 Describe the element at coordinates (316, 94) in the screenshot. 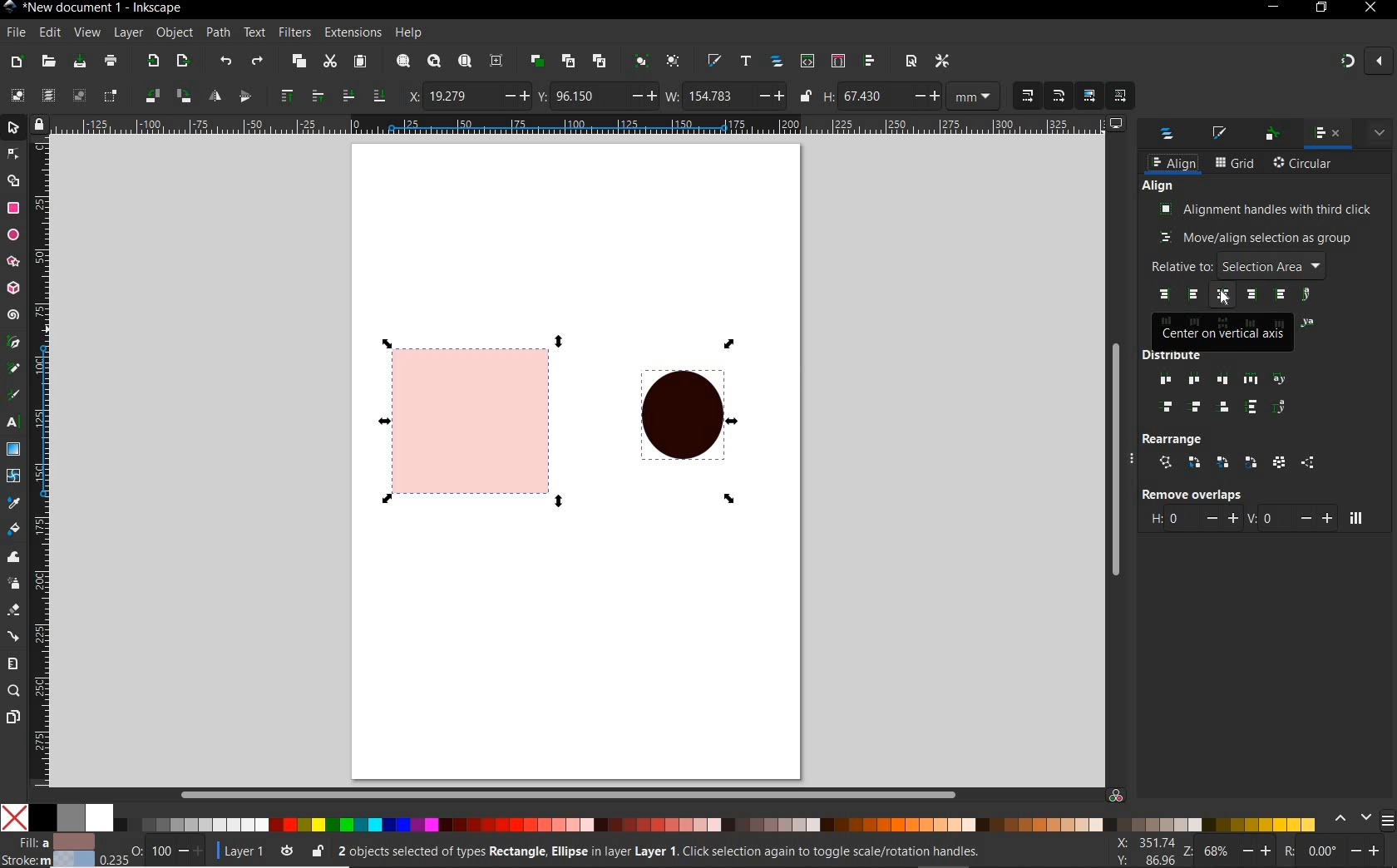

I see `raise` at that location.